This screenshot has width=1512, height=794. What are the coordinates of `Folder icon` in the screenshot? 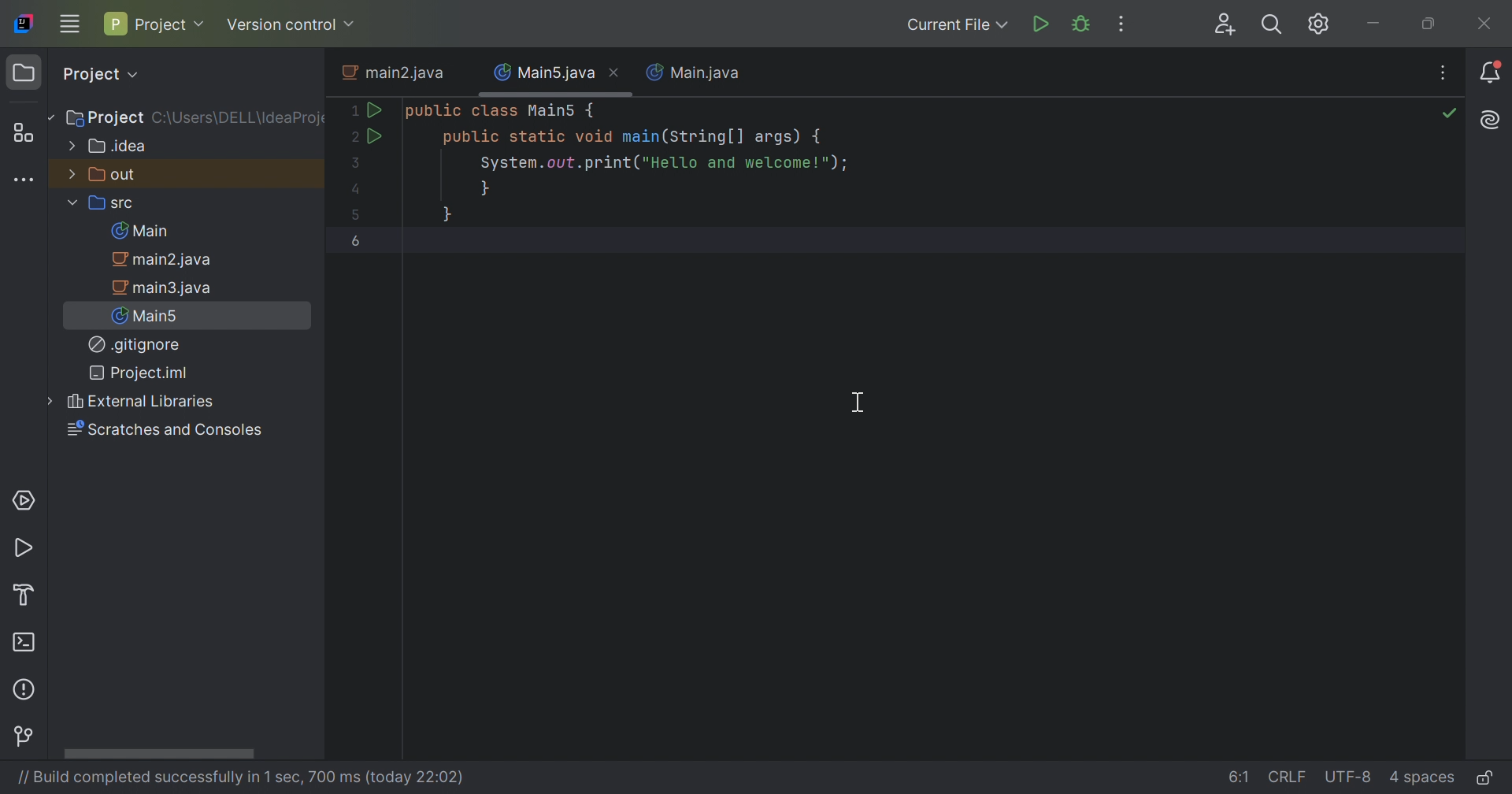 It's located at (23, 72).